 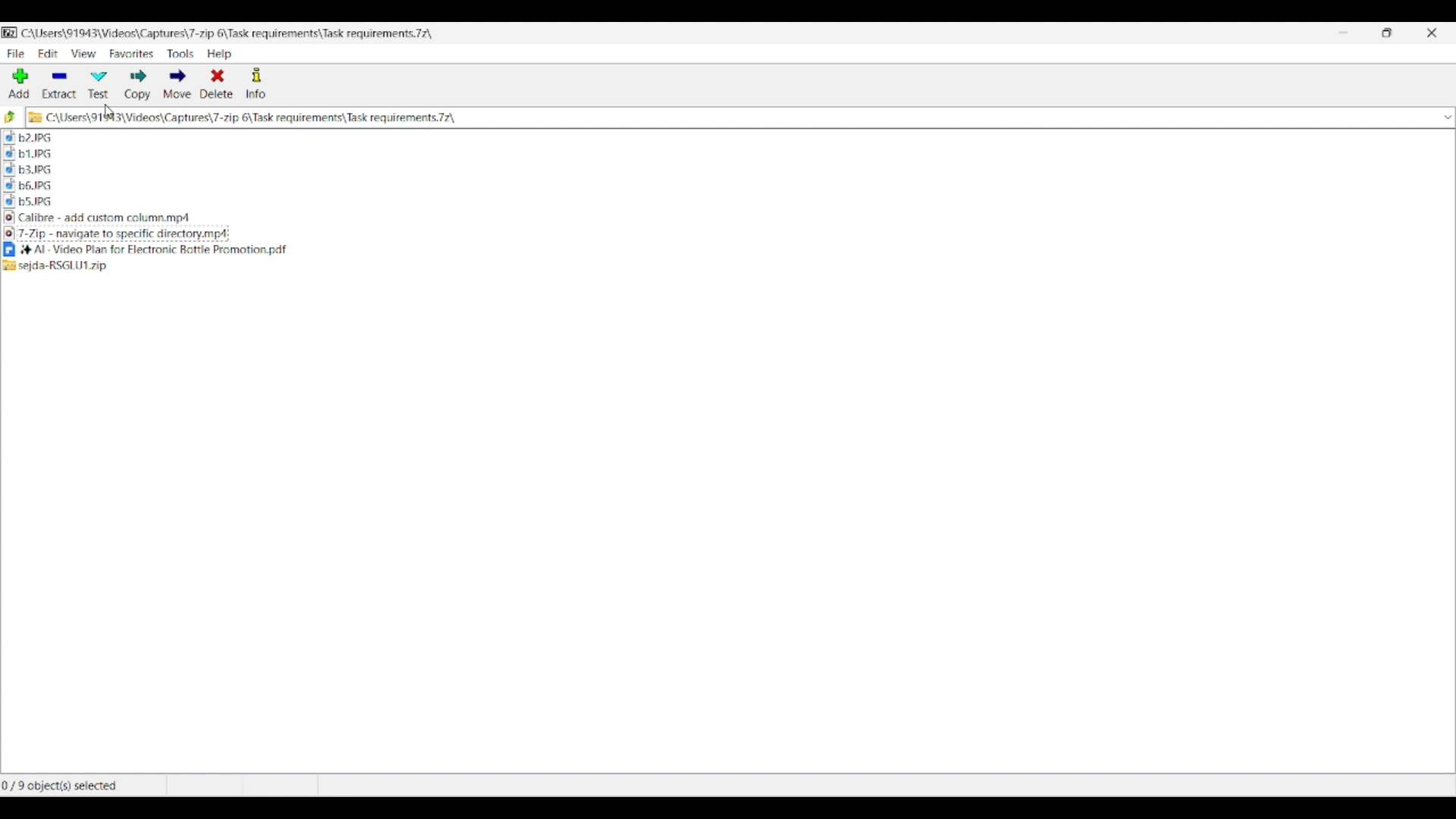 I want to click on Cursor position unchanged , so click(x=109, y=111).